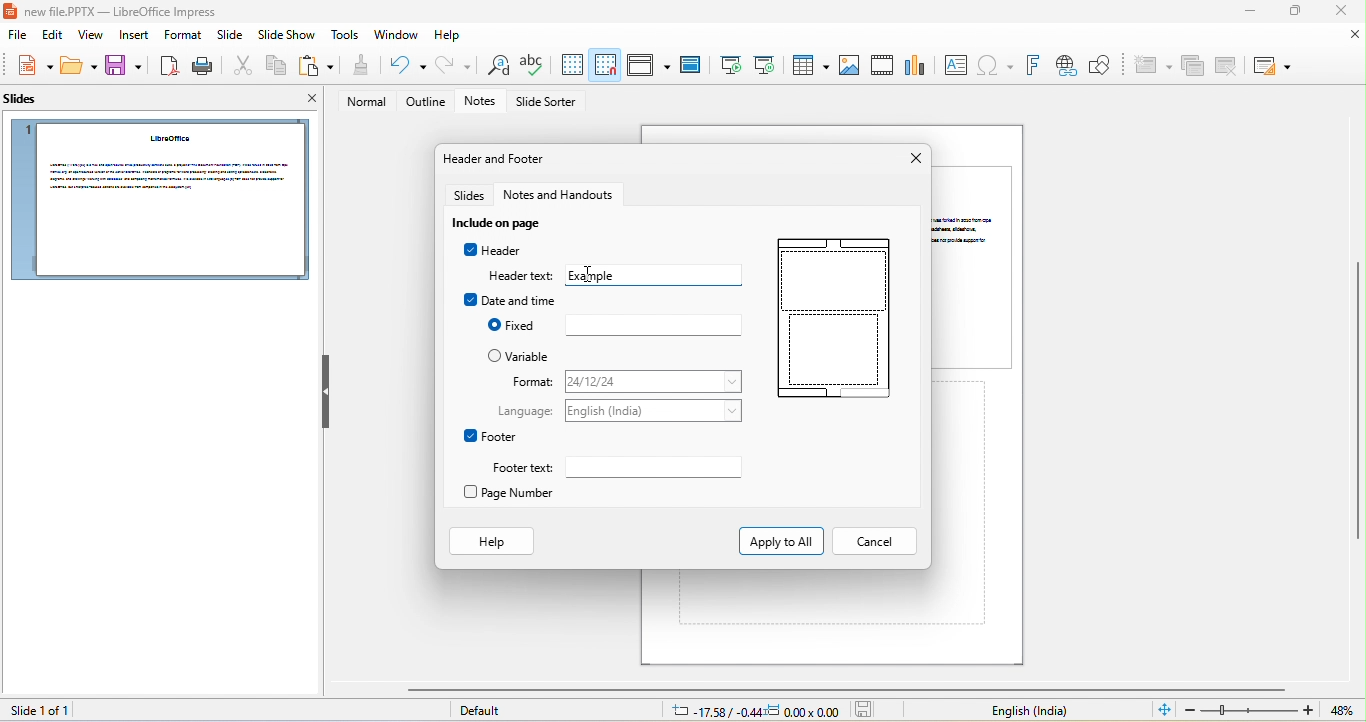  I want to click on delete slide, so click(1227, 65).